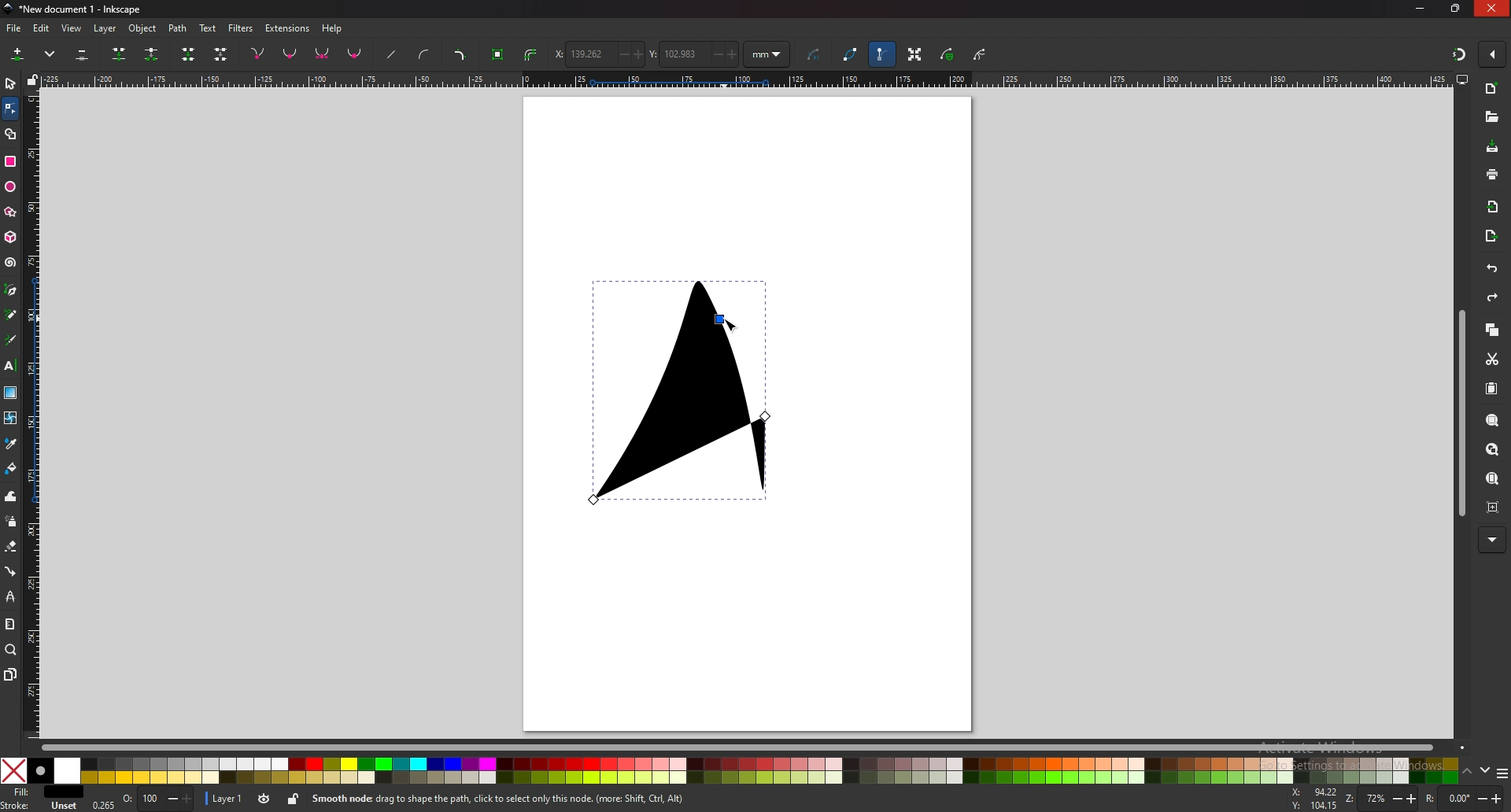  Describe the element at coordinates (220, 54) in the screenshot. I see `delete segment between two non endpoint nodes` at that location.